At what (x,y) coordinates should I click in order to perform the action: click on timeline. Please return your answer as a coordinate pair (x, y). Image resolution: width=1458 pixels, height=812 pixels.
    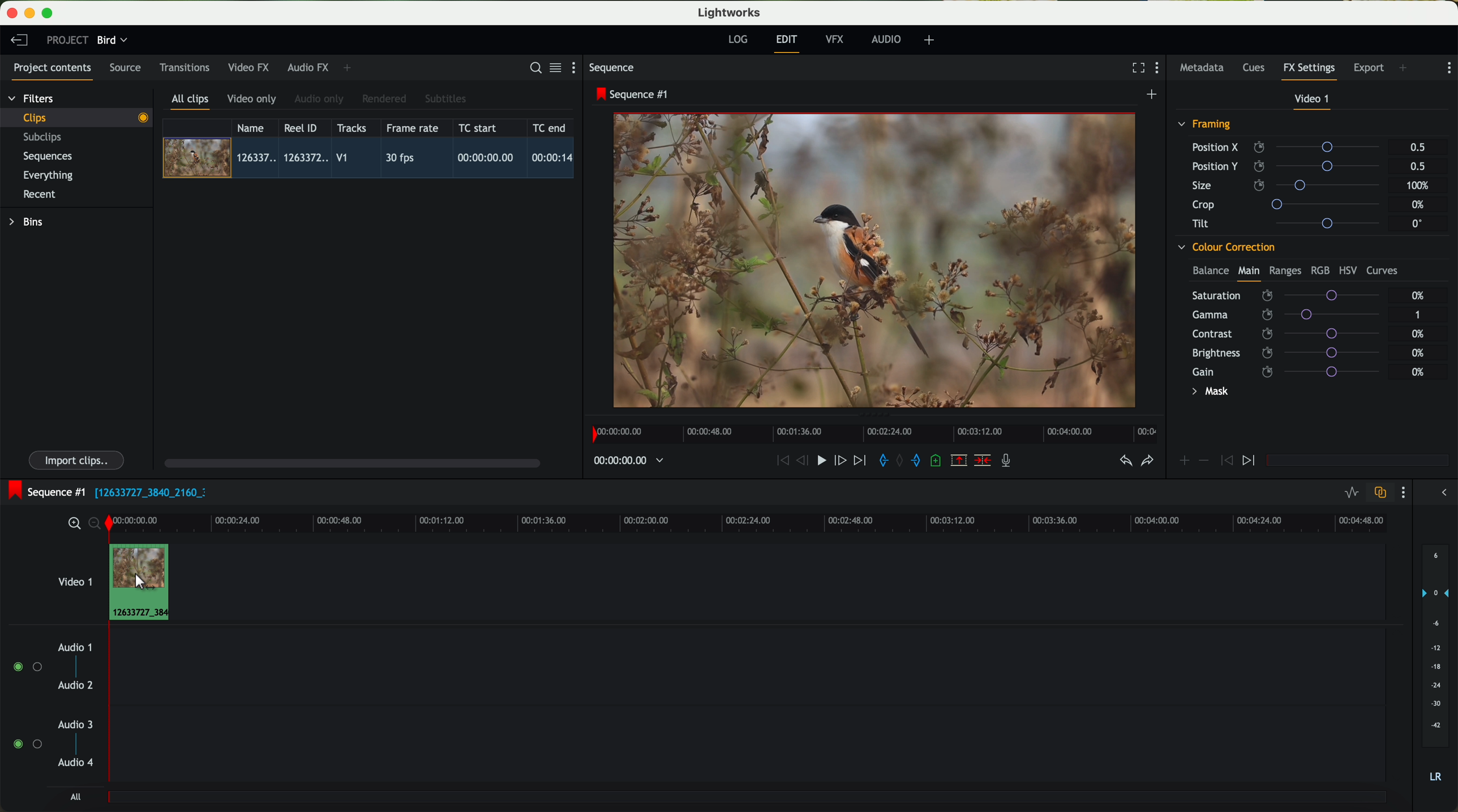
    Looking at the image, I should click on (871, 431).